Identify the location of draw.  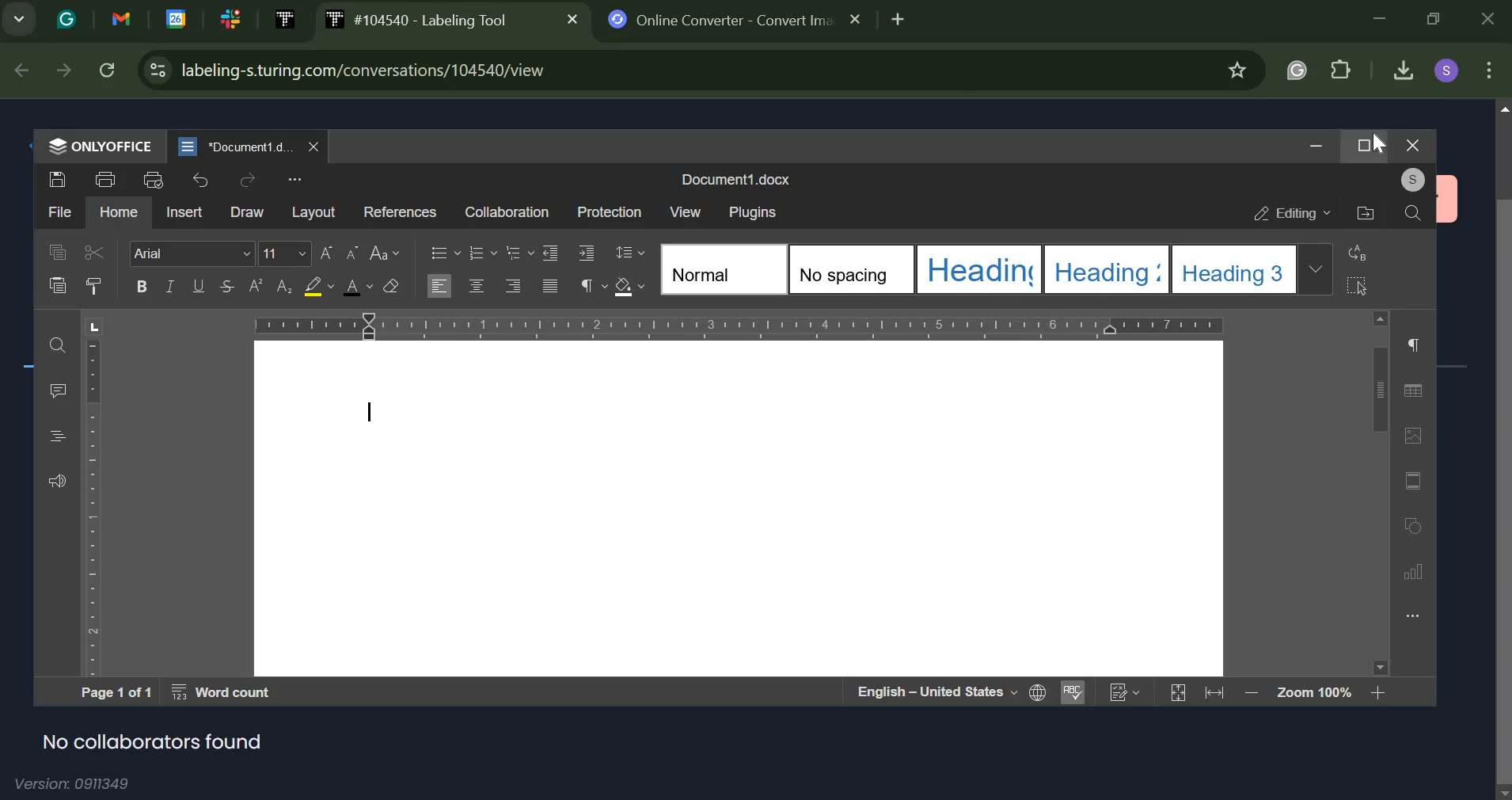
(248, 211).